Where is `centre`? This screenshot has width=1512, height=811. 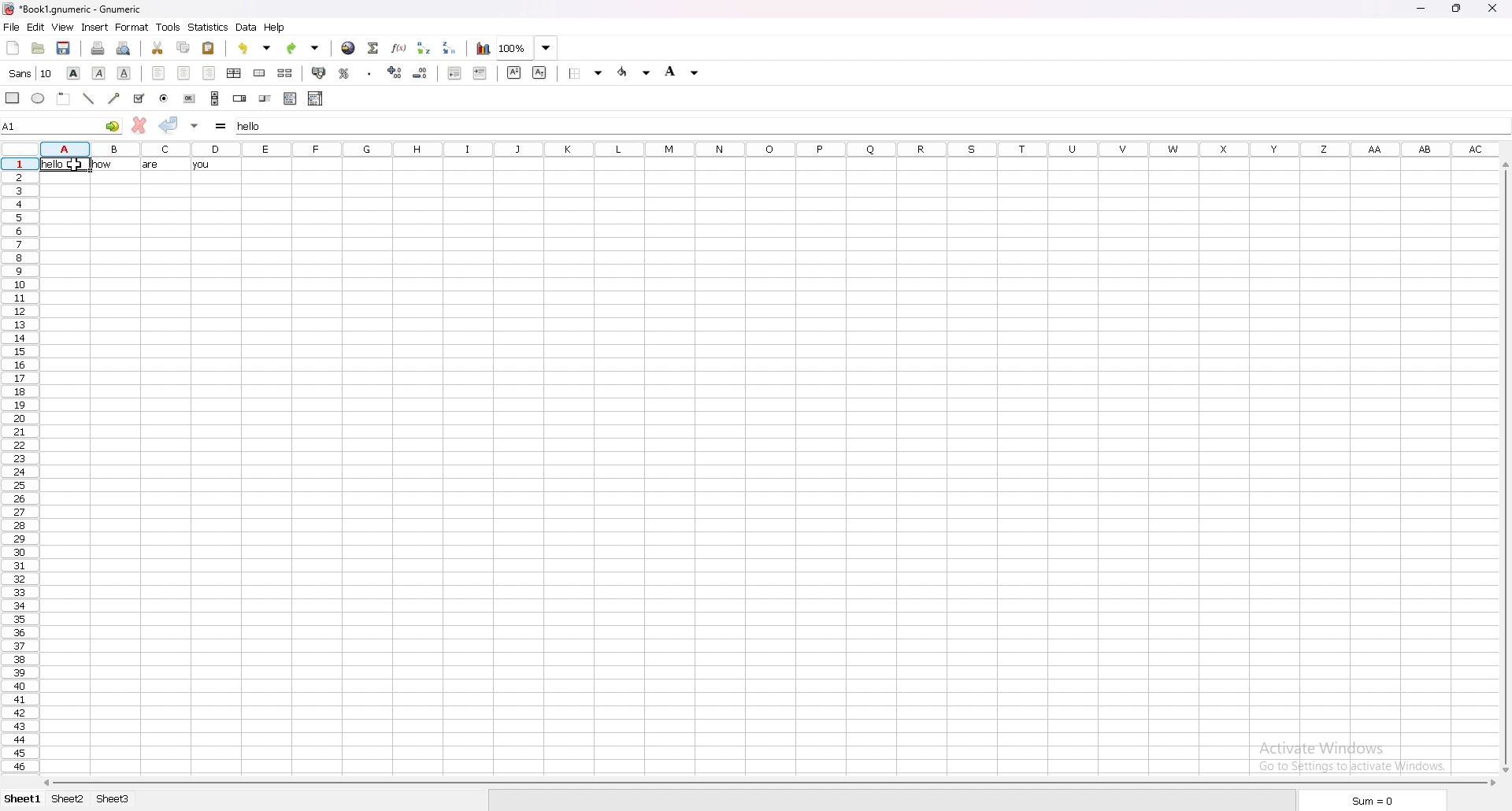 centre is located at coordinates (183, 73).